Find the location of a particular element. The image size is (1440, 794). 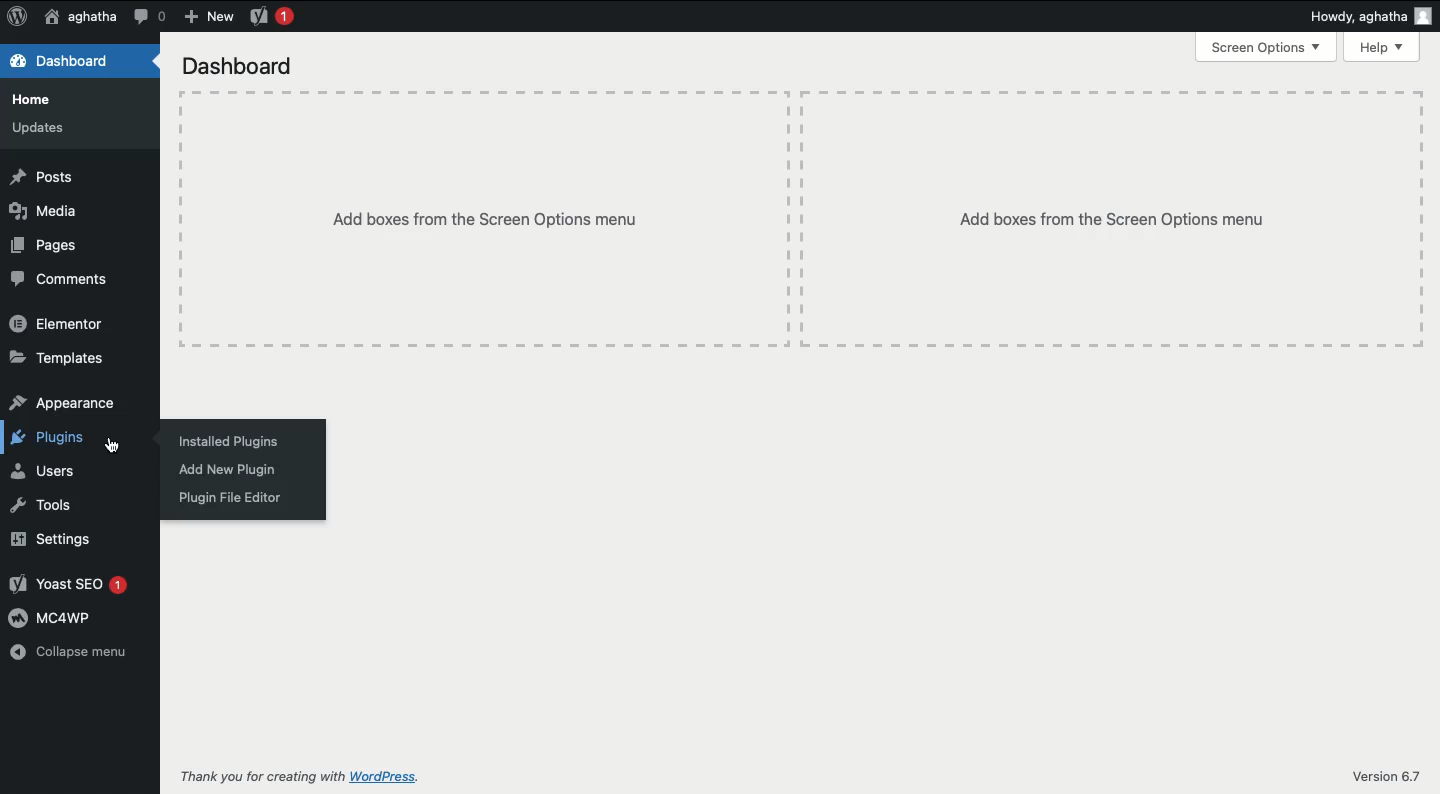

Templates is located at coordinates (57, 359).